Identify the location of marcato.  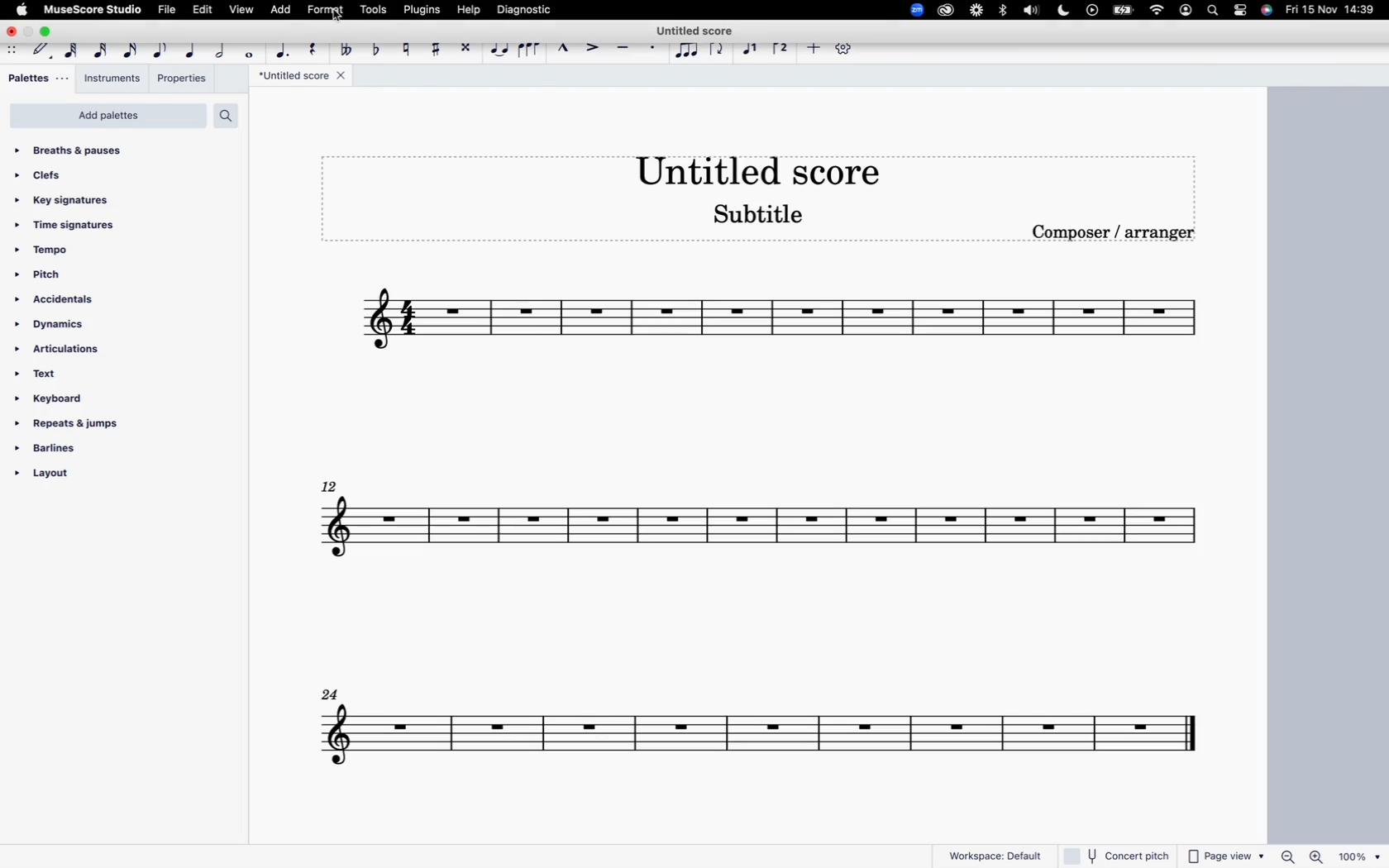
(563, 50).